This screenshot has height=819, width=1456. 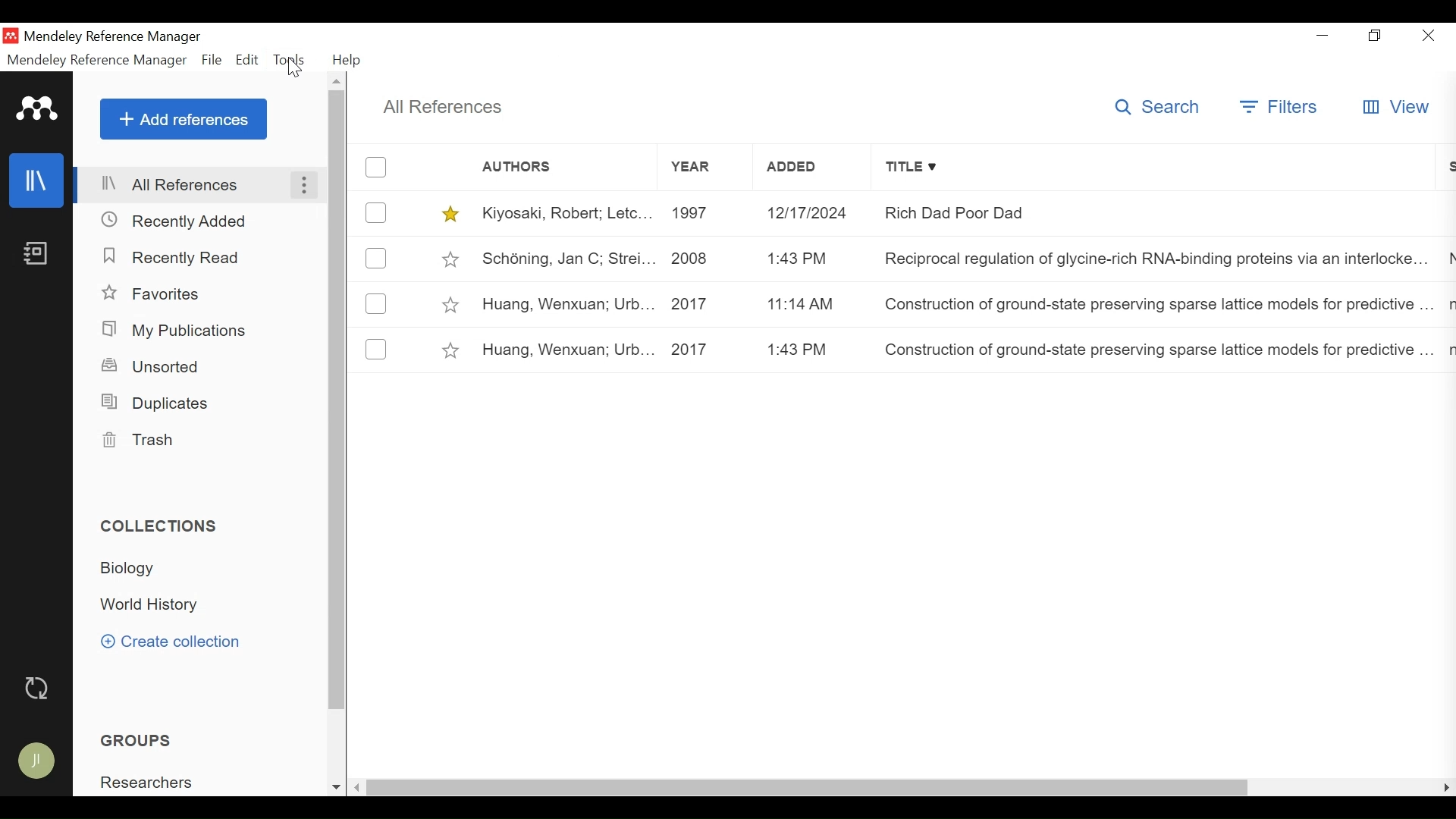 What do you see at coordinates (449, 352) in the screenshot?
I see `Toggle Favorites` at bounding box center [449, 352].